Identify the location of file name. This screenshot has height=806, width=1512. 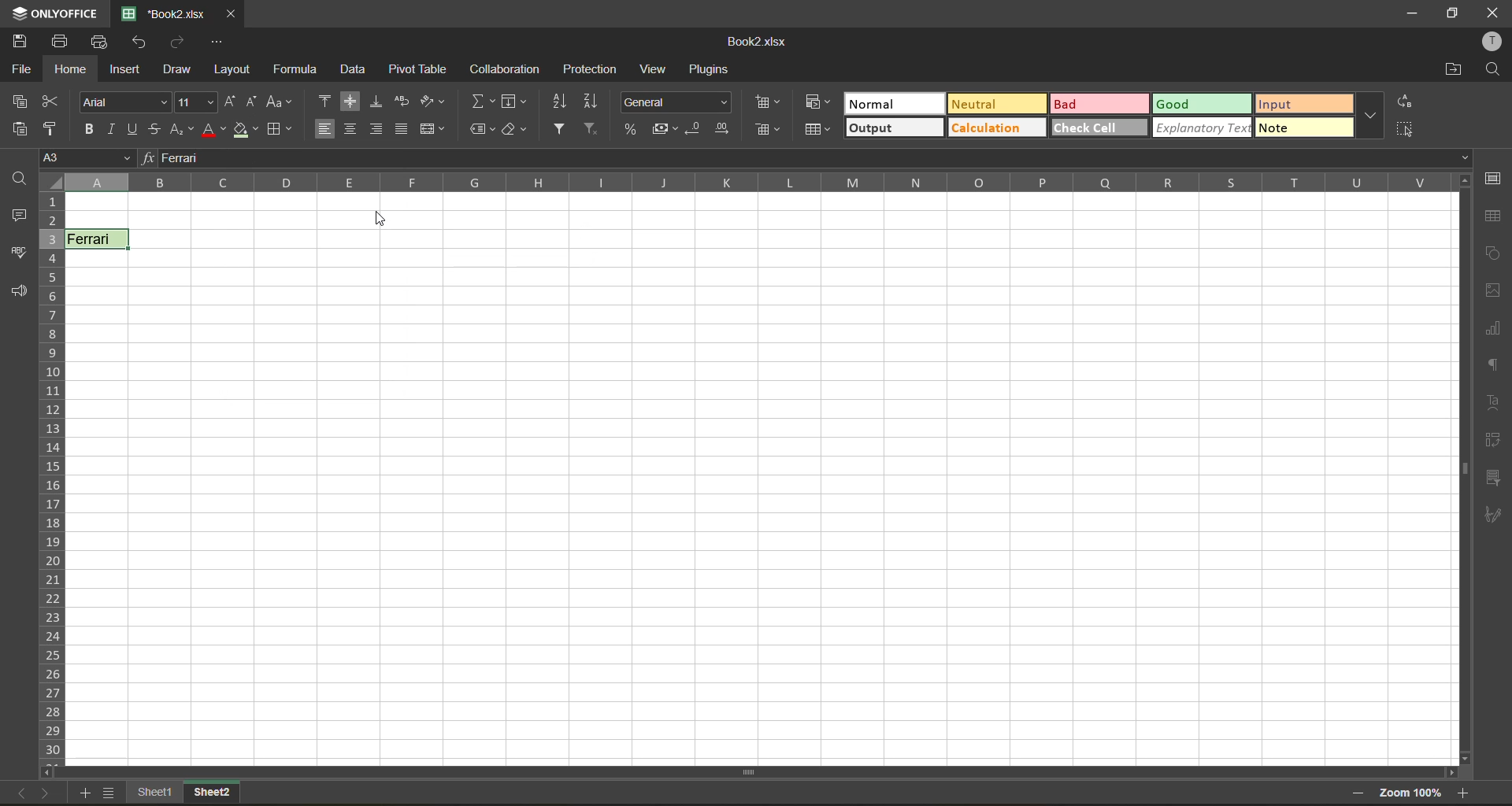
(756, 39).